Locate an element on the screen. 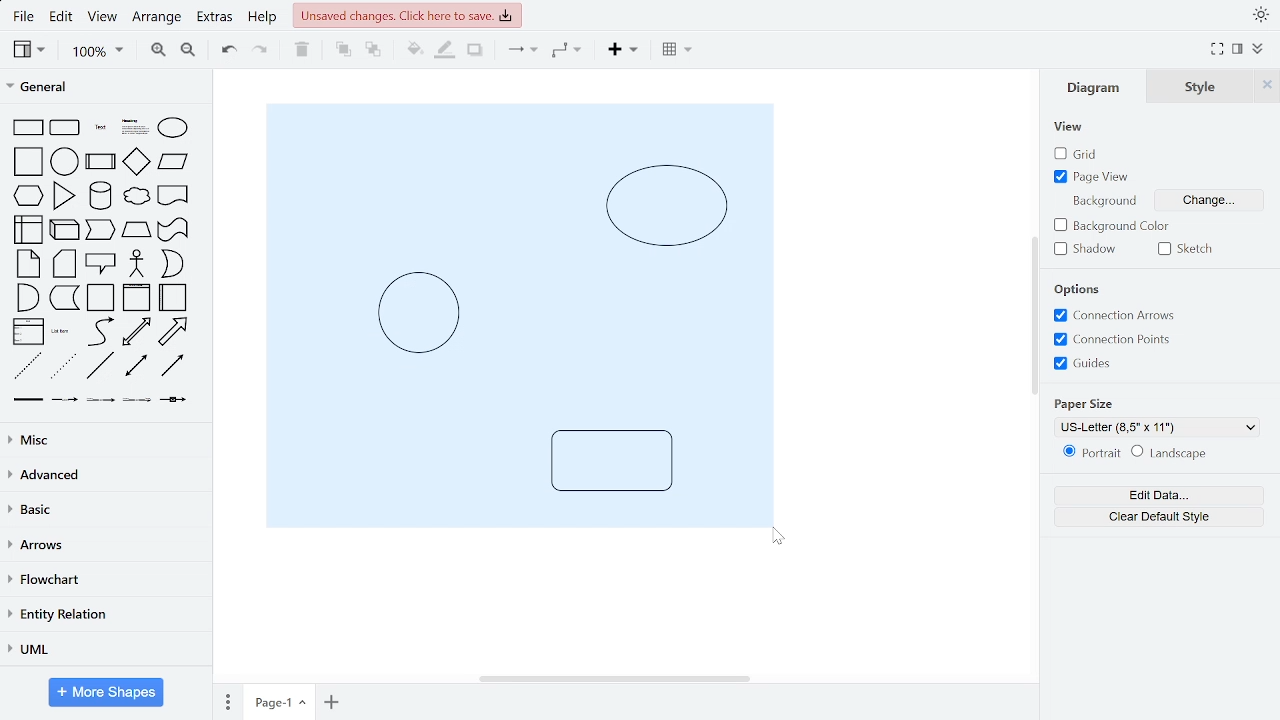 The image size is (1280, 720). insert page is located at coordinates (331, 701).